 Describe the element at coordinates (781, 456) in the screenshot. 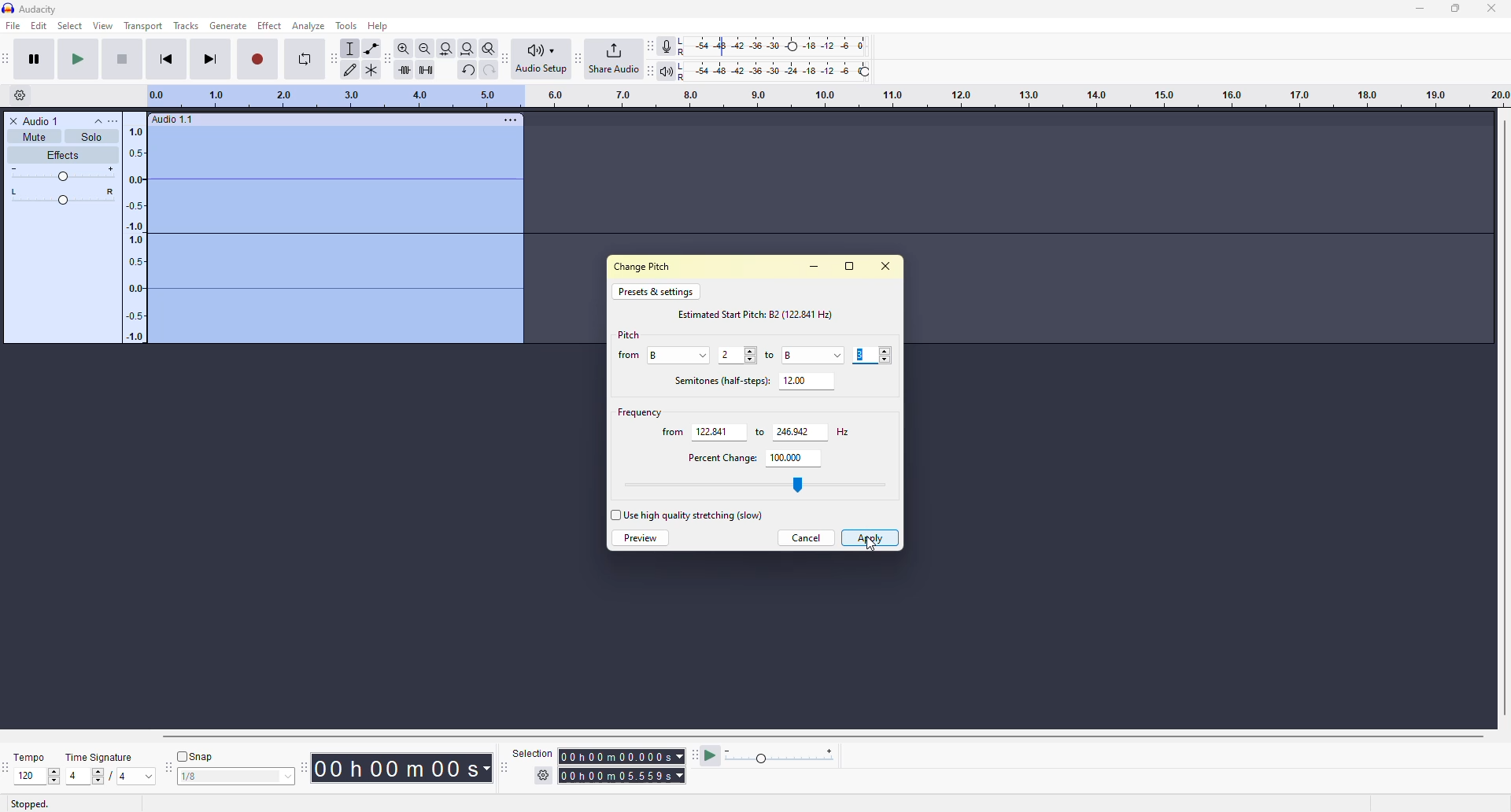

I see `value` at that location.